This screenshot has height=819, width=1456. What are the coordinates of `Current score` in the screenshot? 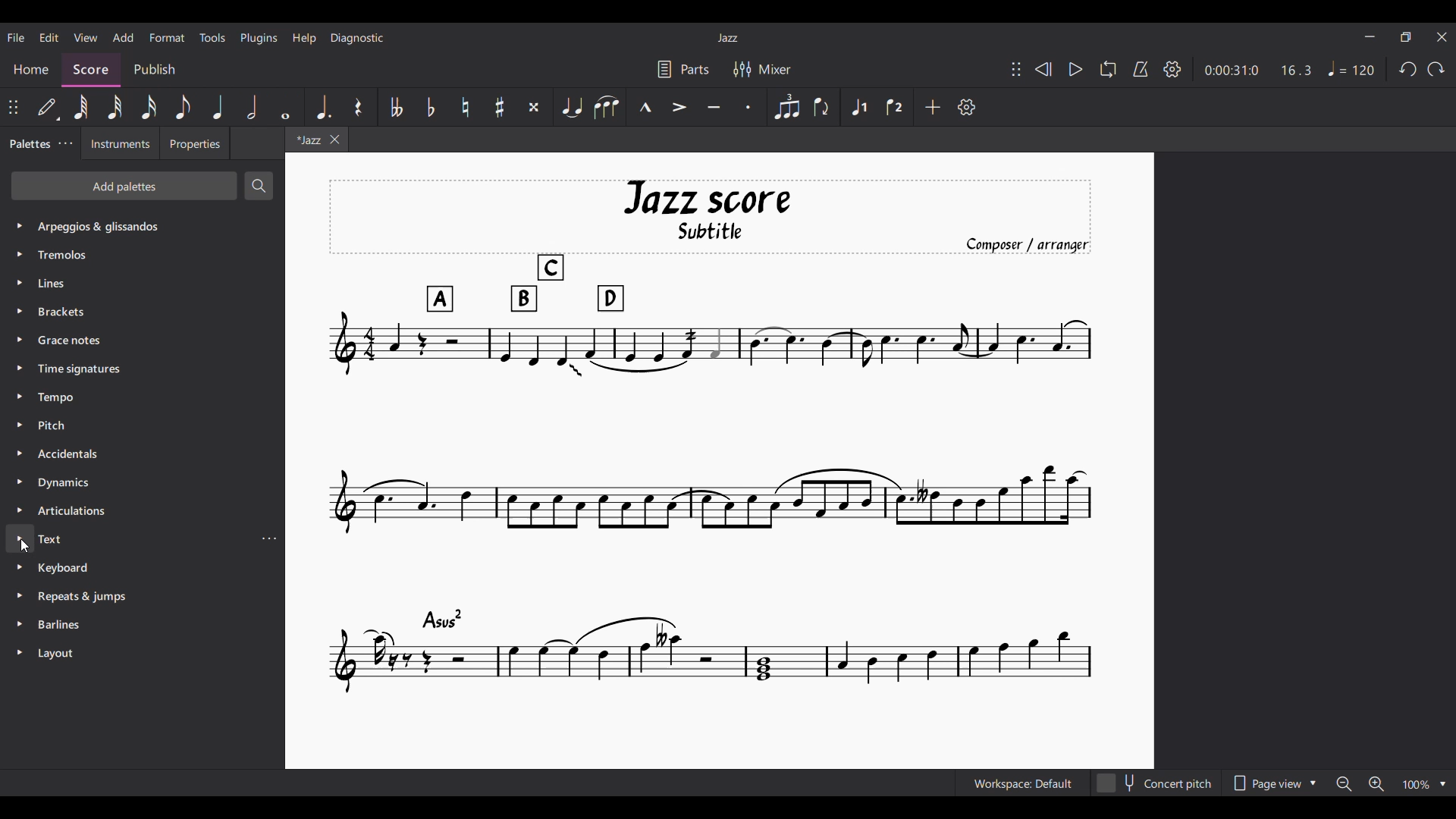 It's located at (710, 438).